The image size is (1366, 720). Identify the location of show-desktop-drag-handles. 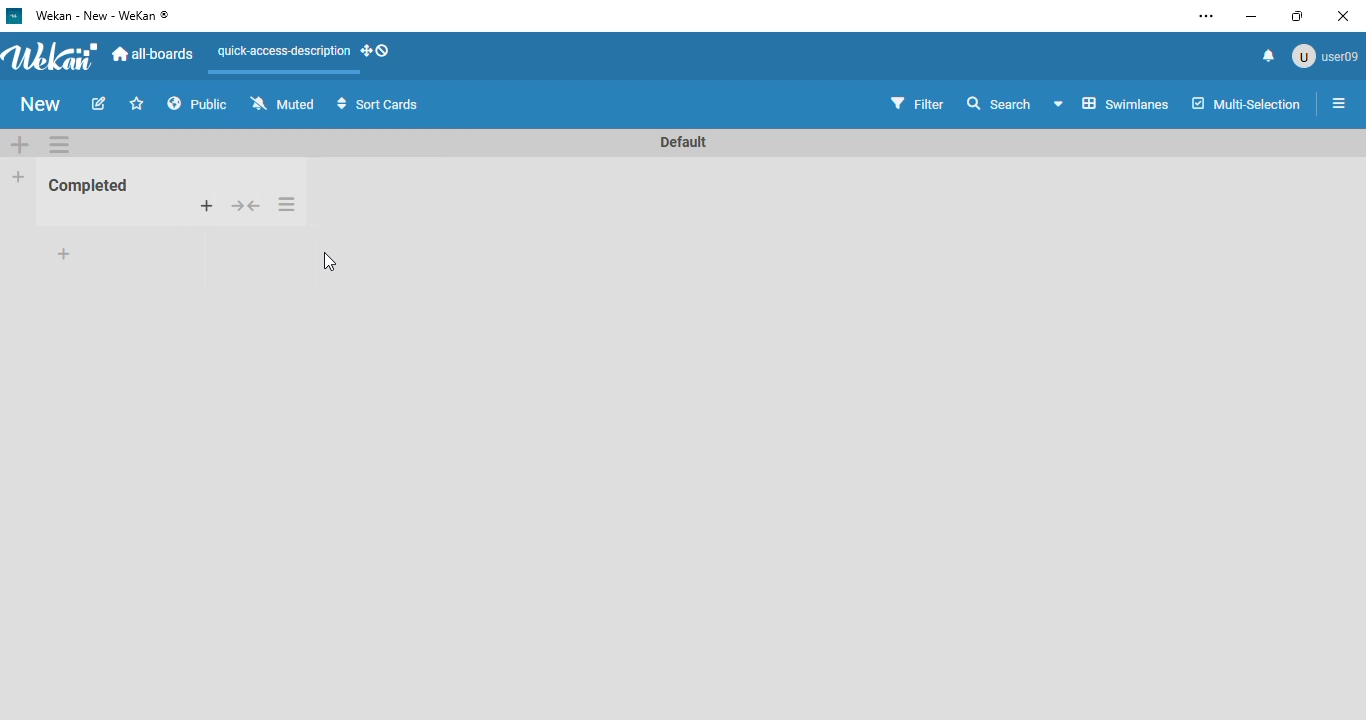
(375, 50).